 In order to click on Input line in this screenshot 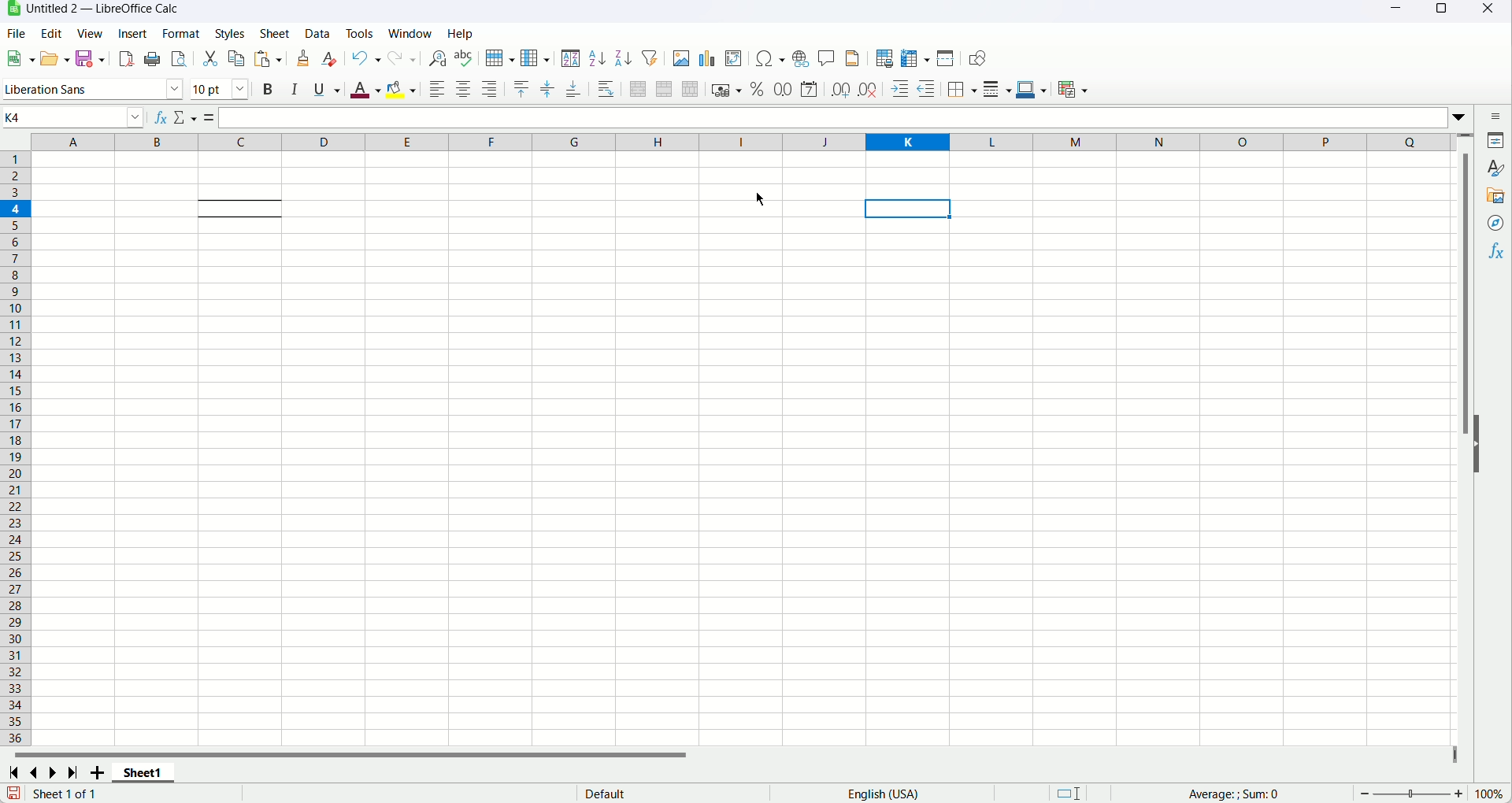, I will do `click(835, 117)`.